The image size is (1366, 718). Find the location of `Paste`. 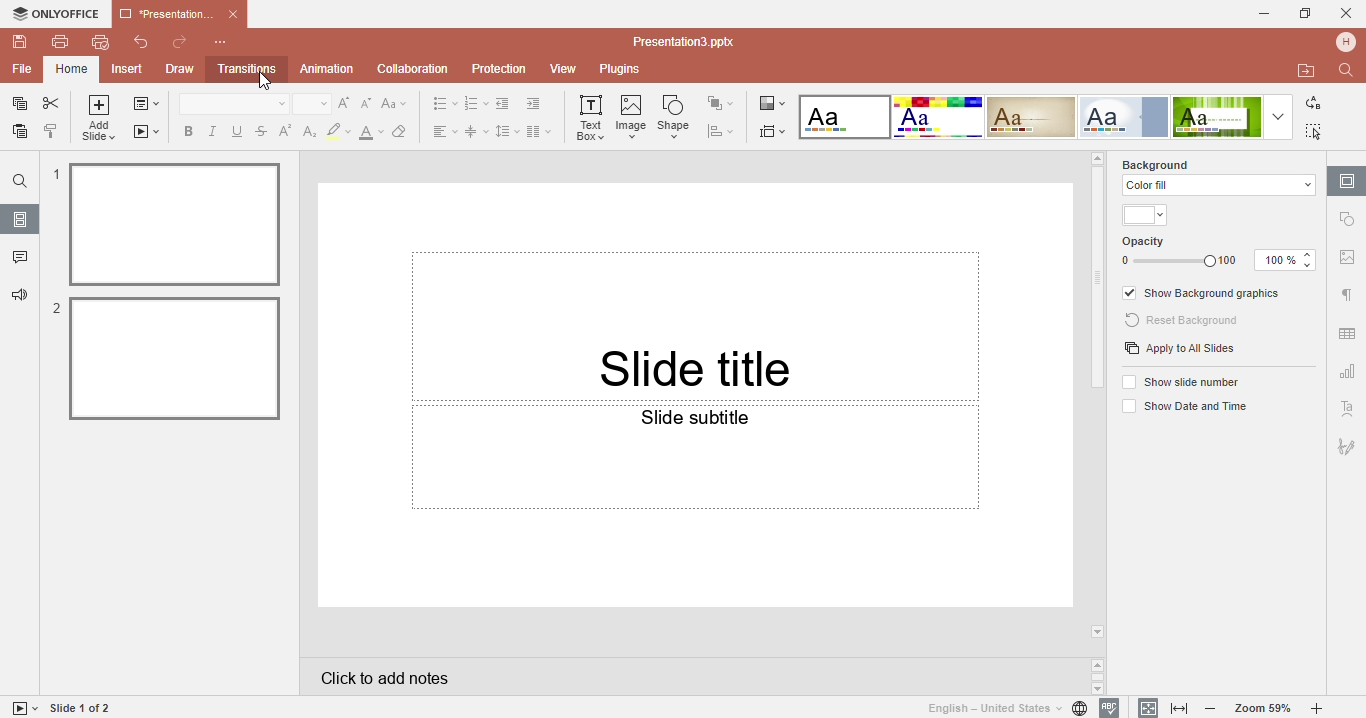

Paste is located at coordinates (17, 135).